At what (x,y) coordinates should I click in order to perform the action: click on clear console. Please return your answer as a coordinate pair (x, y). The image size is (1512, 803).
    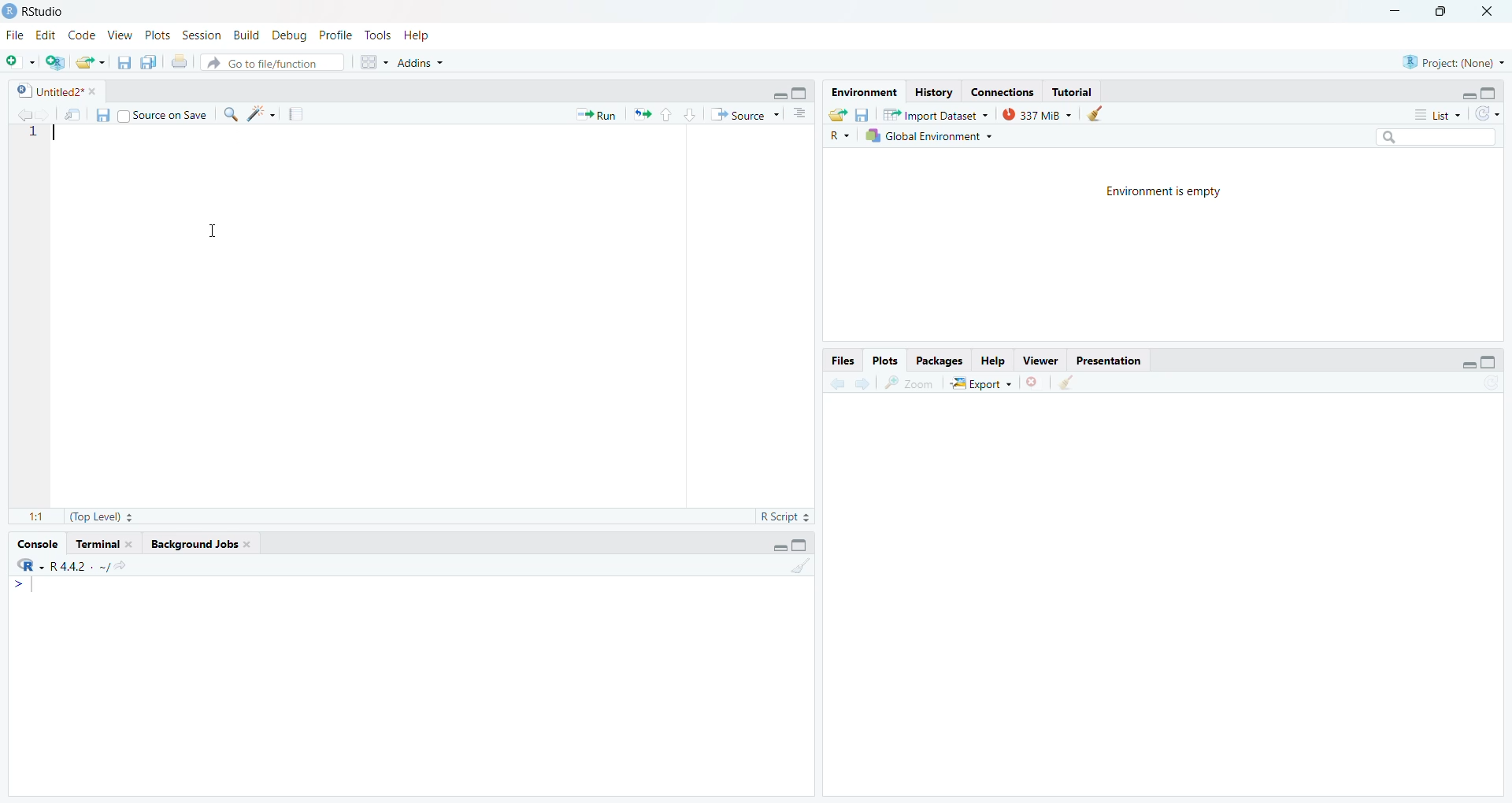
    Looking at the image, I should click on (799, 567).